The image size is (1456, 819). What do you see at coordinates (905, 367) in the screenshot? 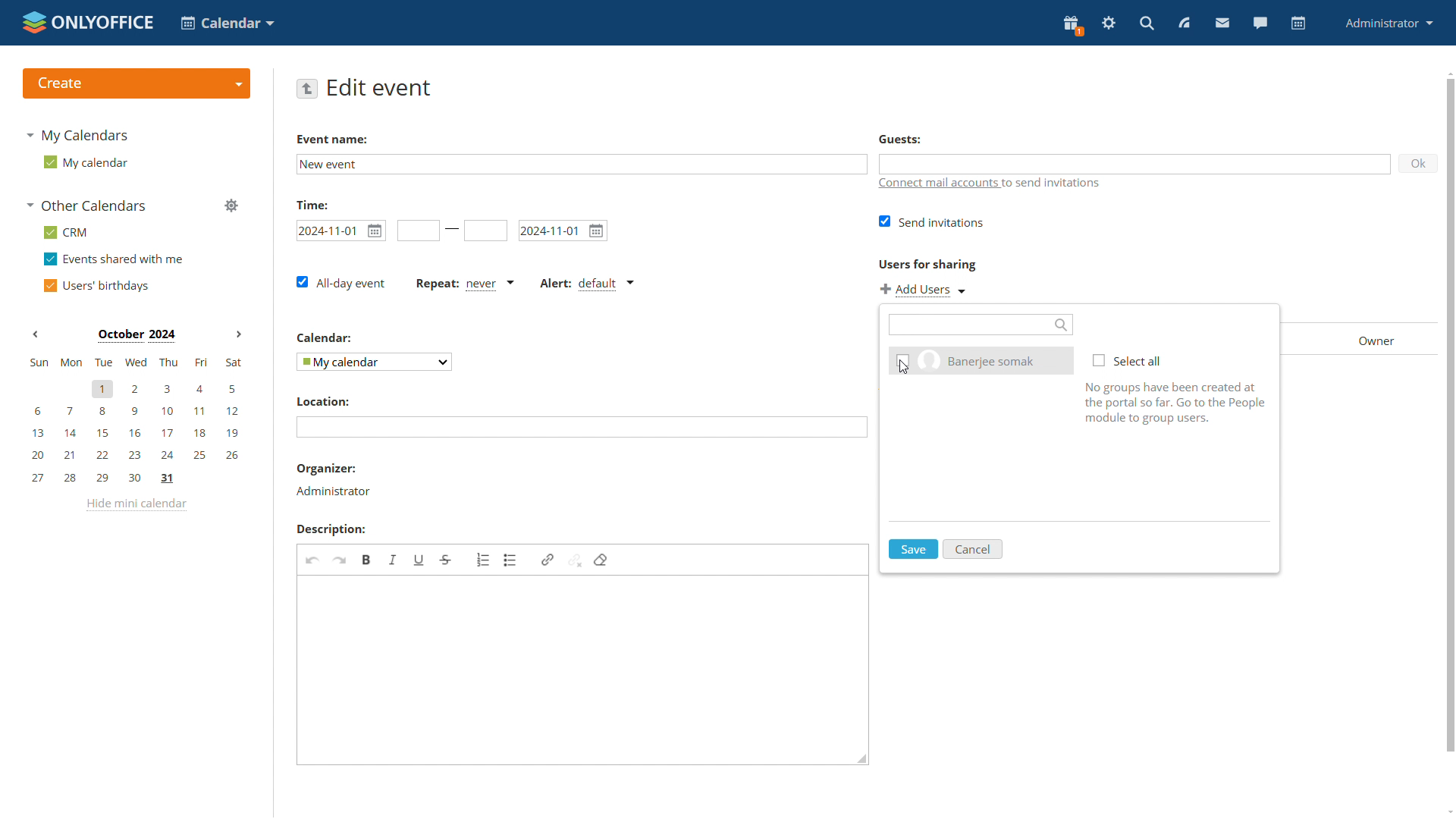
I see `Cursor` at bounding box center [905, 367].